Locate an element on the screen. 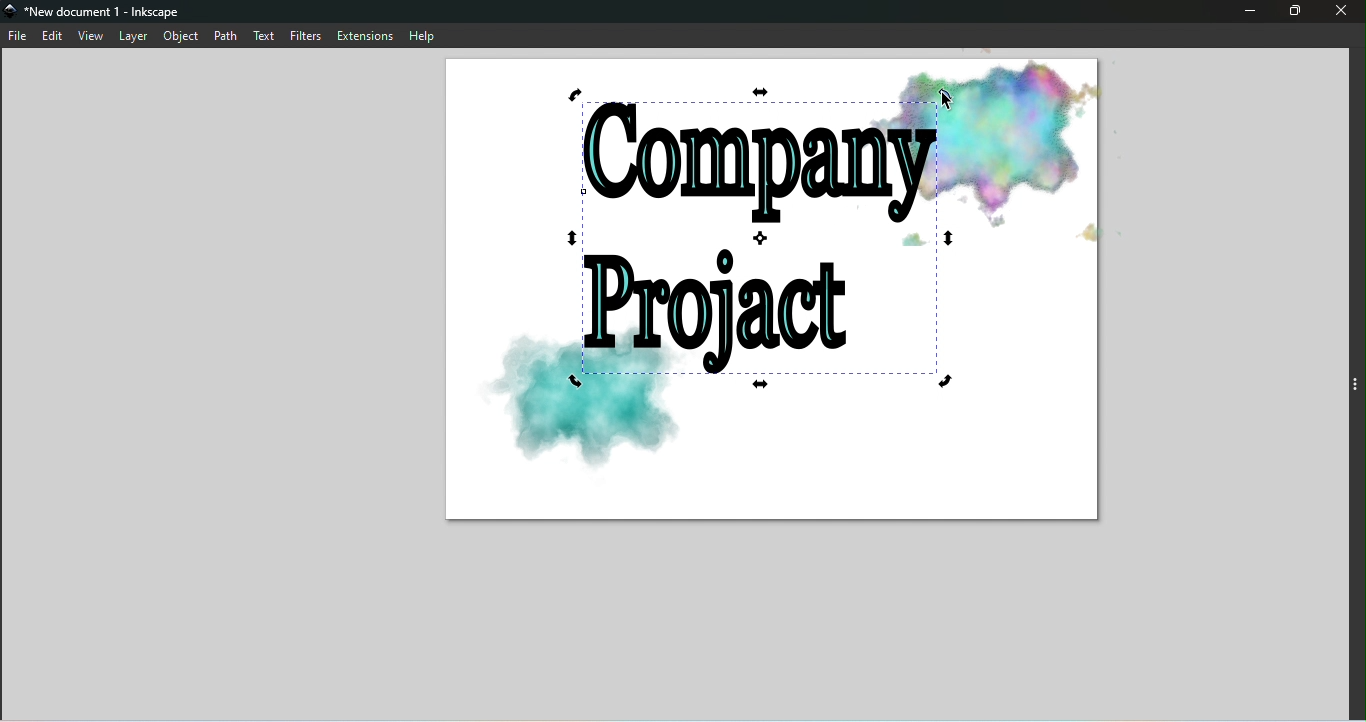  Close is located at coordinates (1345, 13).